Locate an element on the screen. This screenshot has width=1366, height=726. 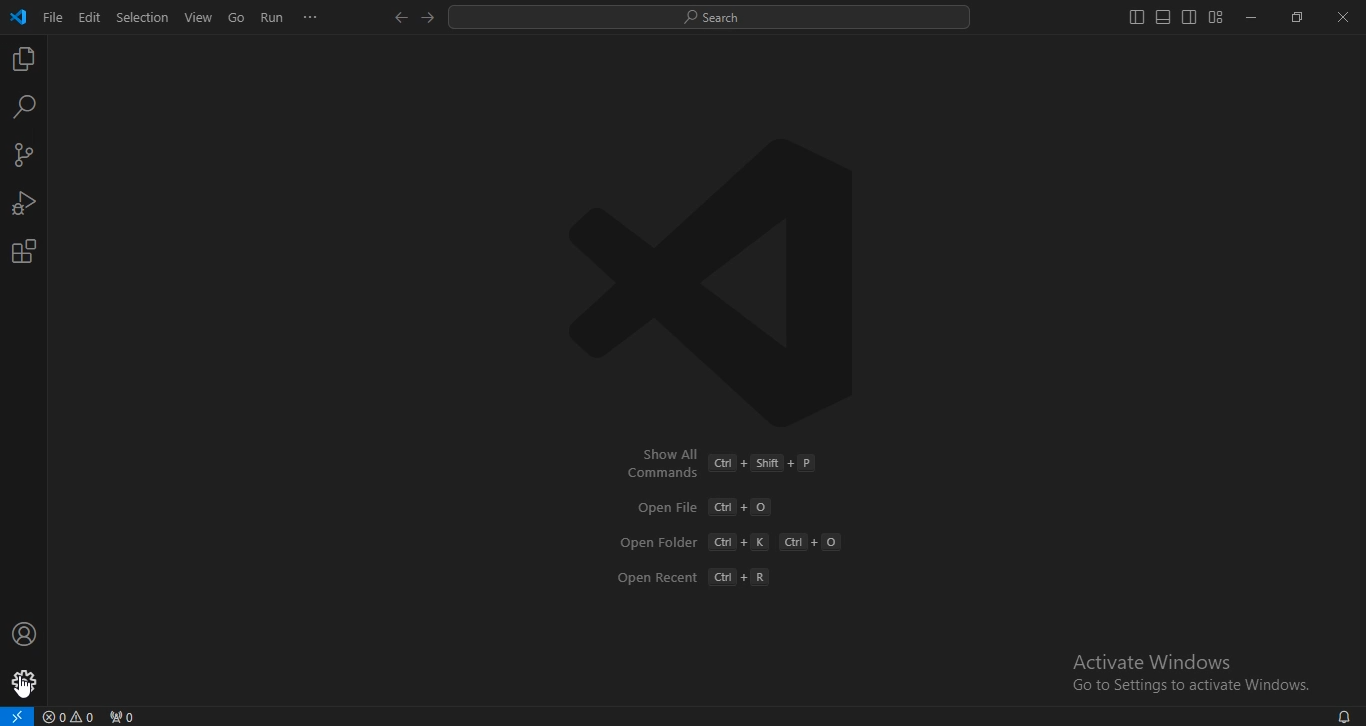
view is located at coordinates (199, 17).